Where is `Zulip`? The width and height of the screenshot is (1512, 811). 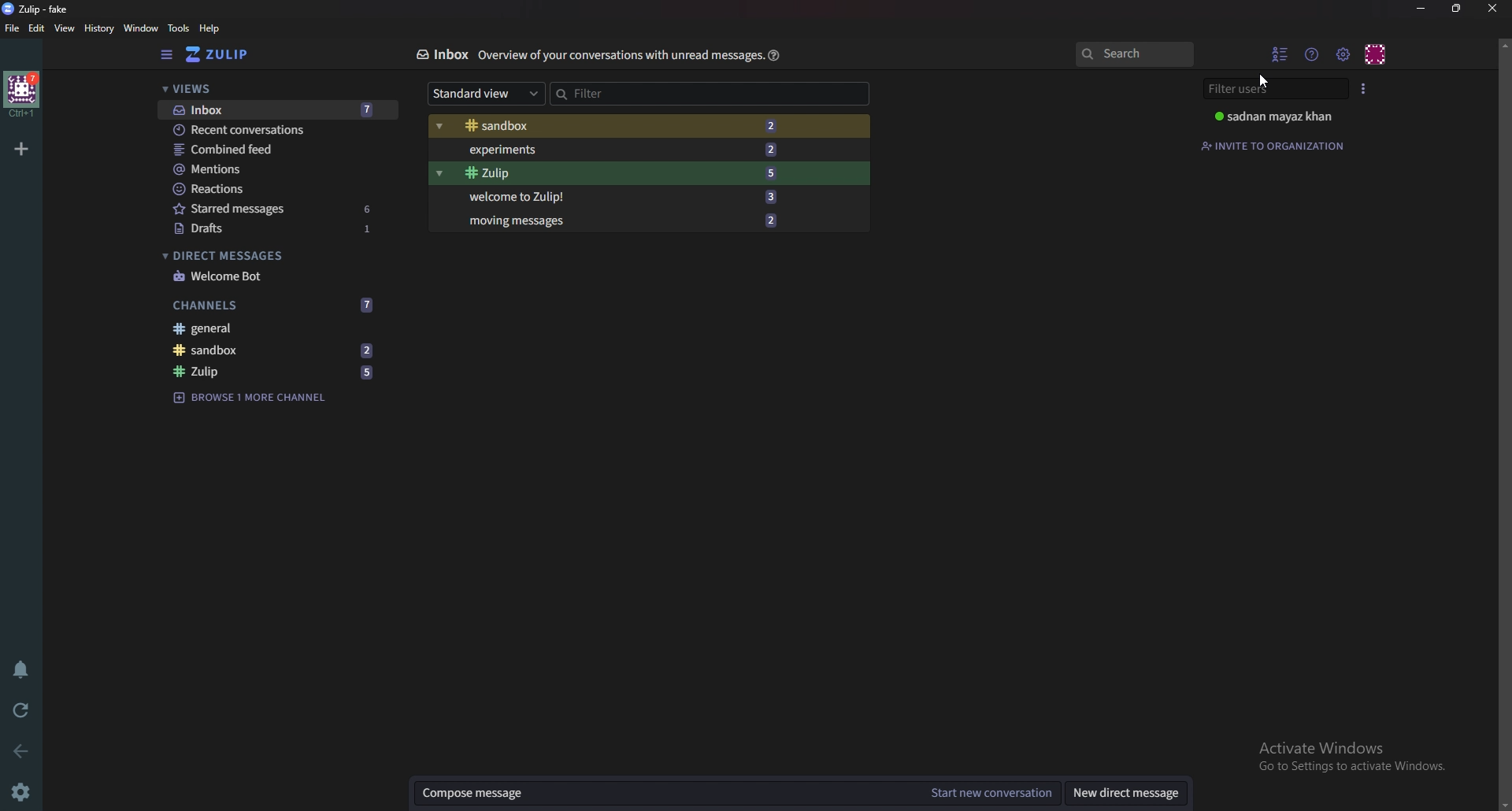
Zulip is located at coordinates (630, 172).